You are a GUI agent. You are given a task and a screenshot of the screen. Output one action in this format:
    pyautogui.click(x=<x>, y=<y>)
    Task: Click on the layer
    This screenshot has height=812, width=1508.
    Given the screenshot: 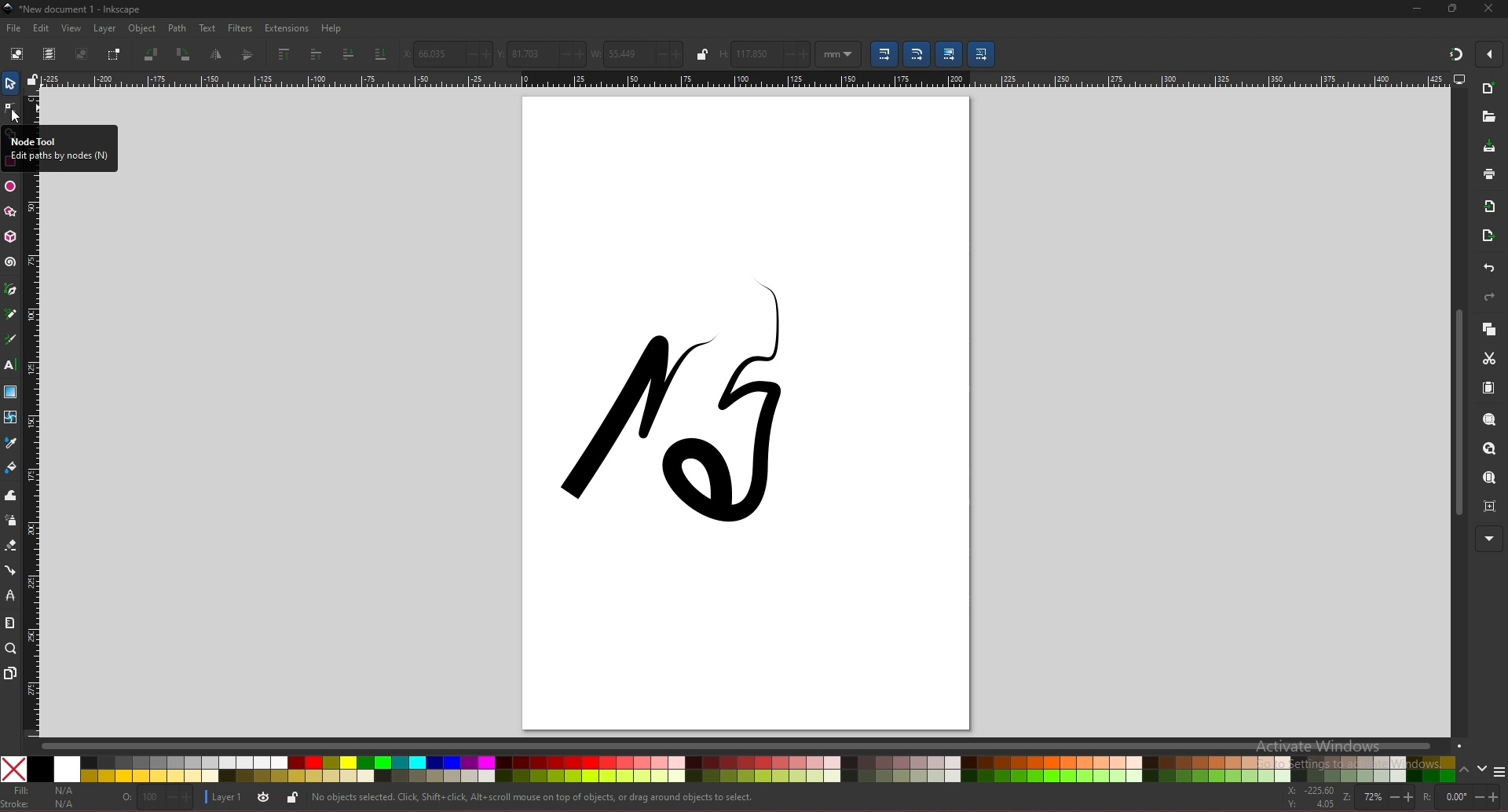 What is the action you would take?
    pyautogui.click(x=108, y=29)
    